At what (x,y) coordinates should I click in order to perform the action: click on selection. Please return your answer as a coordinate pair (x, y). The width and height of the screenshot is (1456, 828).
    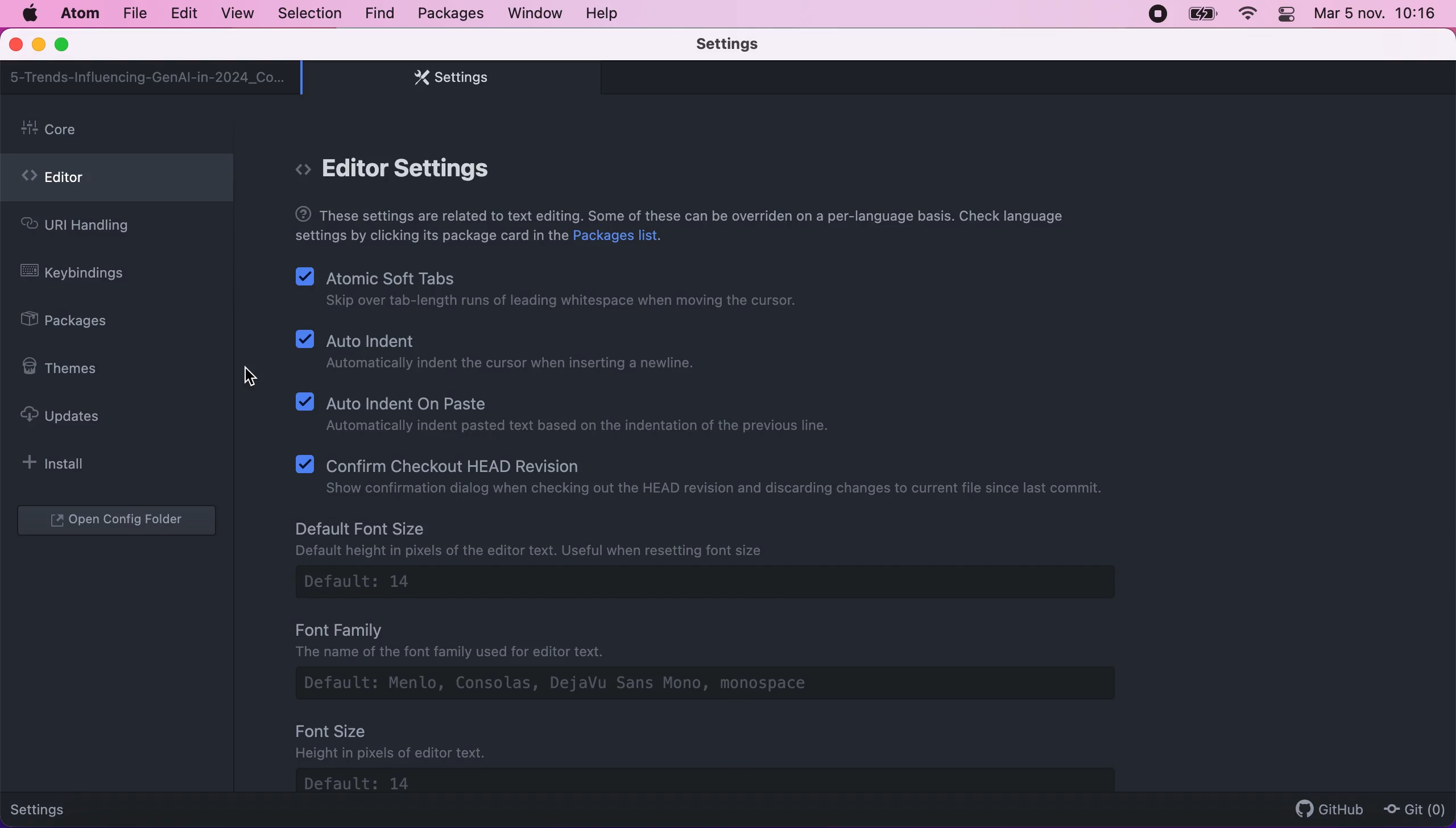
    Looking at the image, I should click on (311, 14).